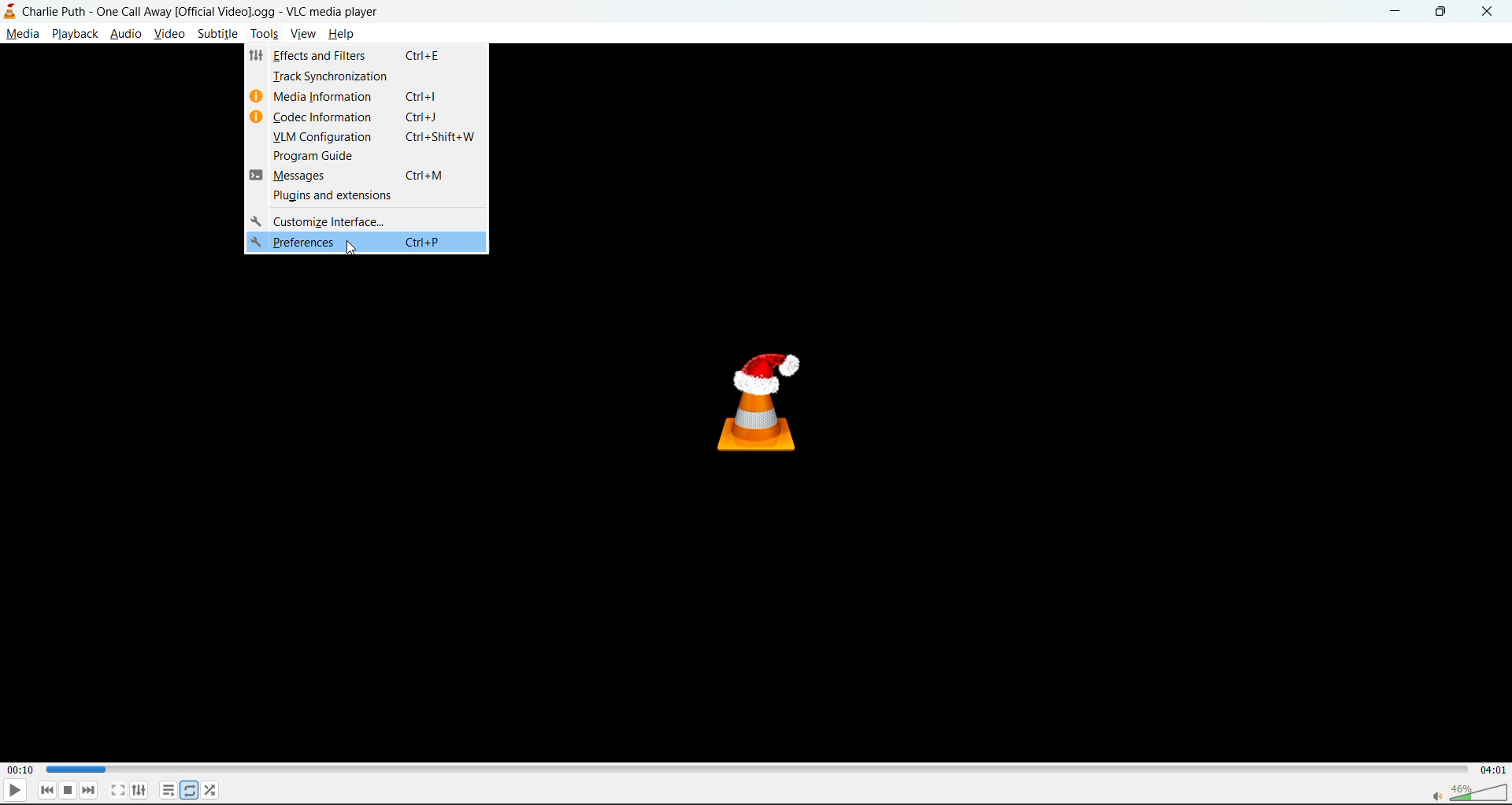  What do you see at coordinates (1443, 11) in the screenshot?
I see `maximize` at bounding box center [1443, 11].